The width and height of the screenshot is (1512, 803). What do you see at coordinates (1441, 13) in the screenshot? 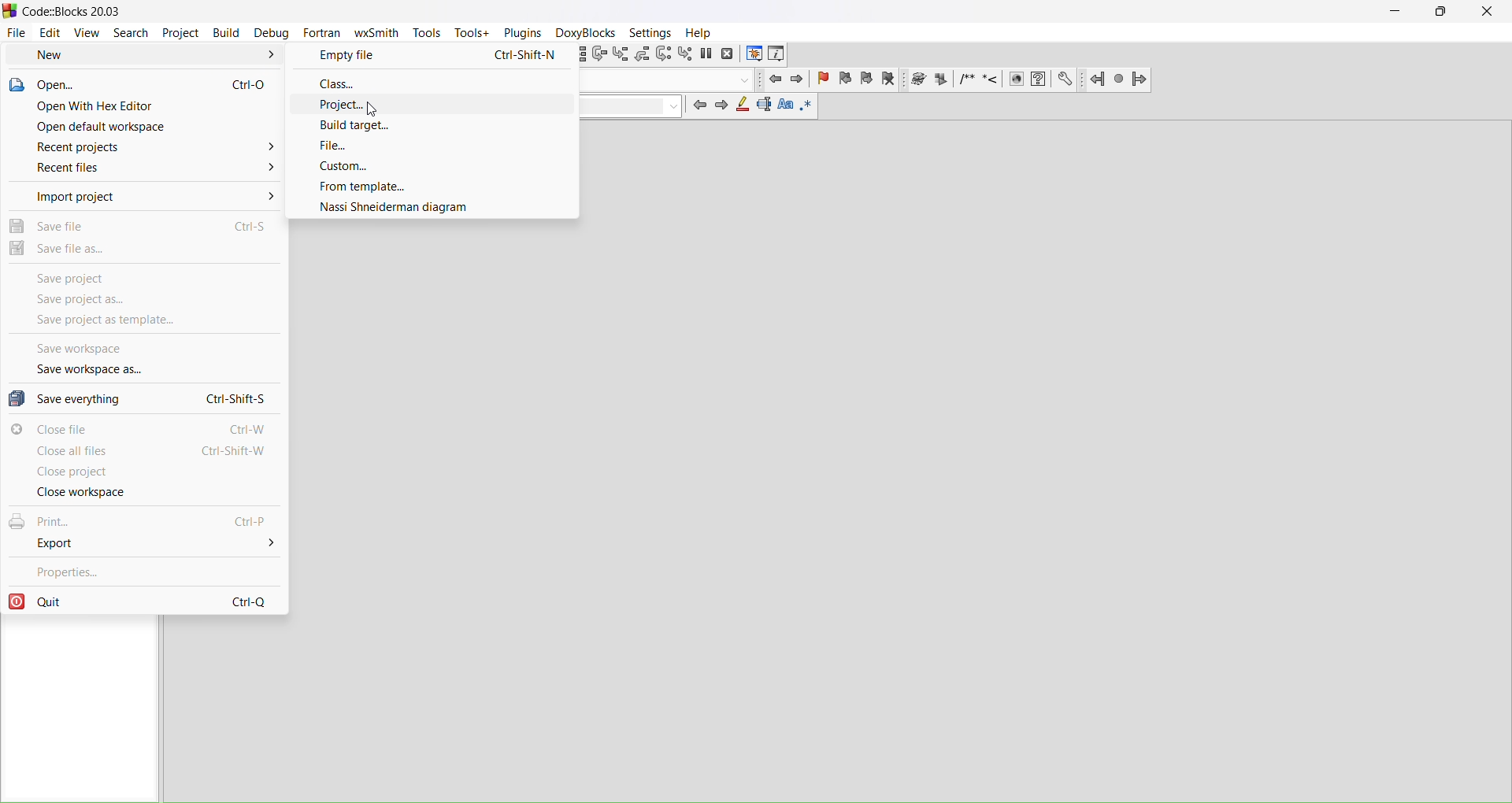
I see `maximize` at bounding box center [1441, 13].